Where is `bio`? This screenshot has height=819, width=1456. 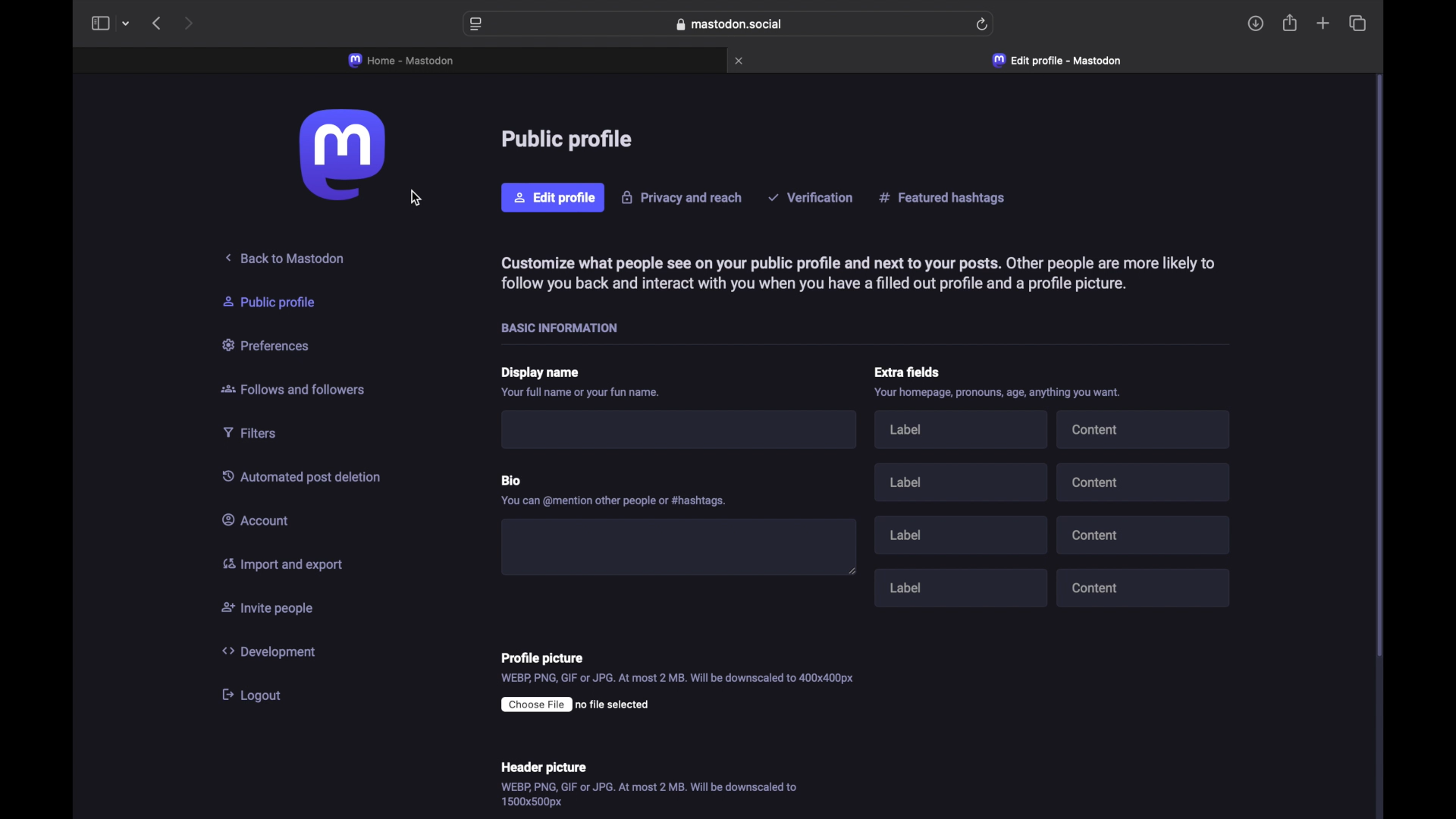
bio is located at coordinates (513, 479).